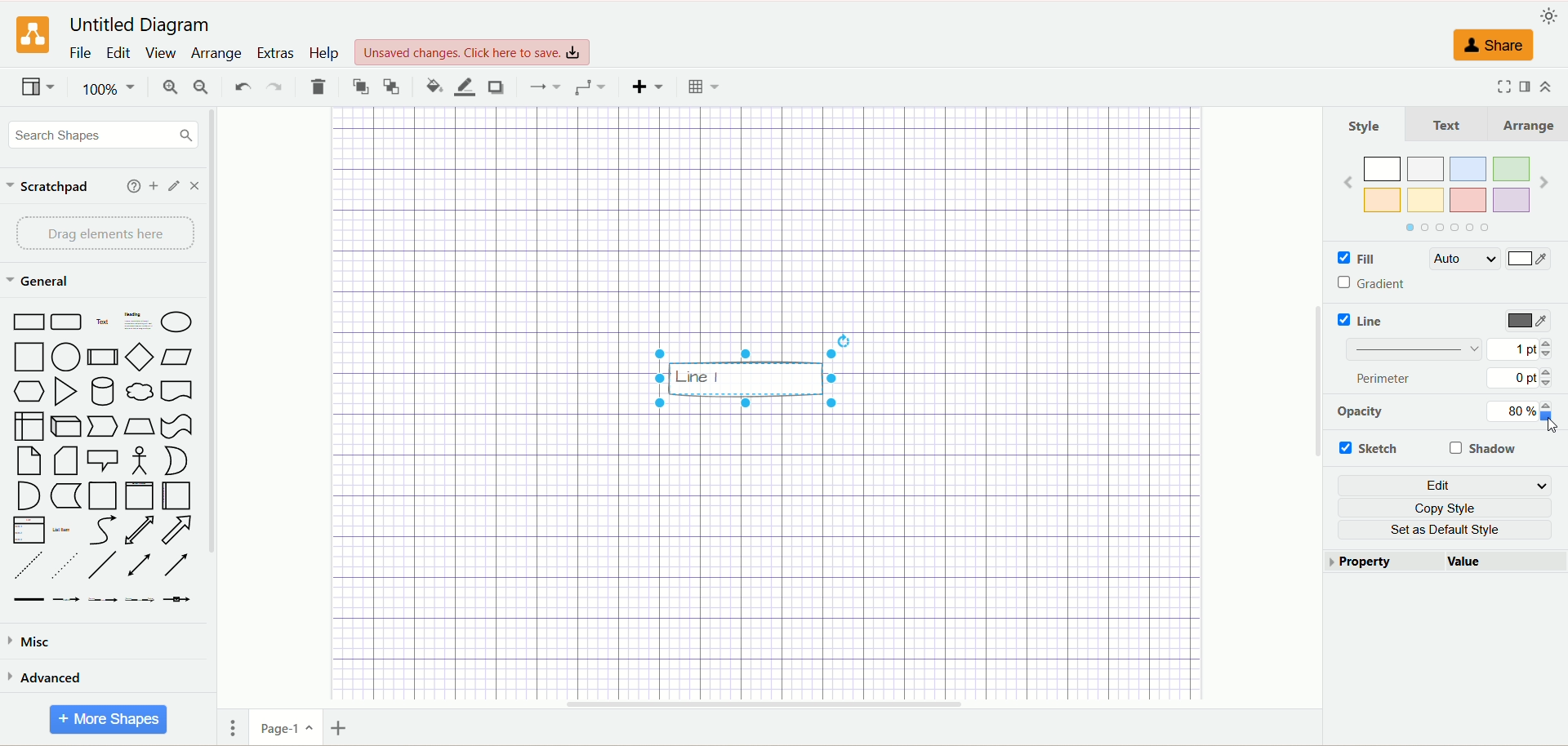  What do you see at coordinates (172, 186) in the screenshot?
I see `edit` at bounding box center [172, 186].